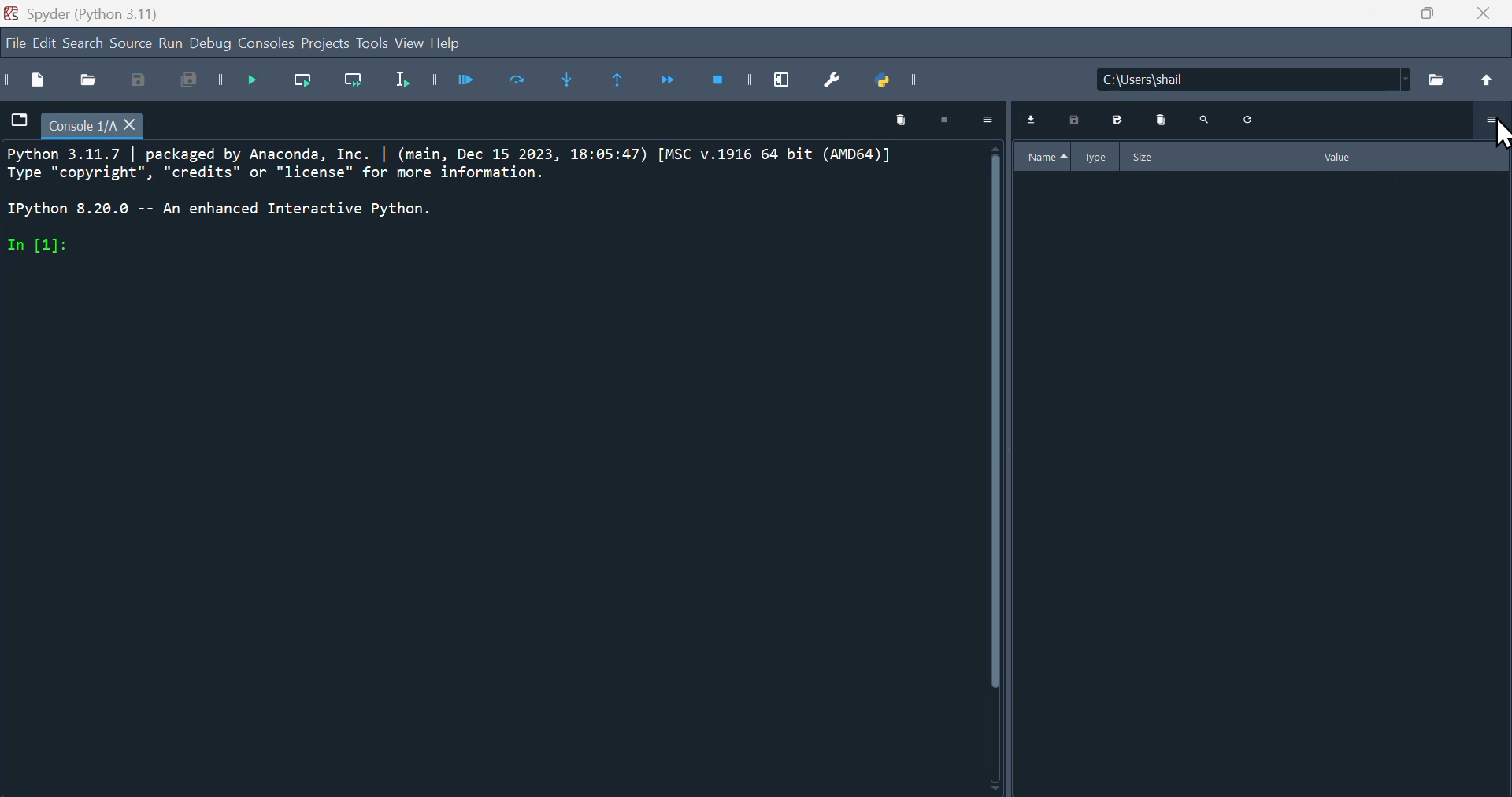 This screenshot has width=1512, height=797. Describe the element at coordinates (728, 83) in the screenshot. I see `Stop debugging` at that location.